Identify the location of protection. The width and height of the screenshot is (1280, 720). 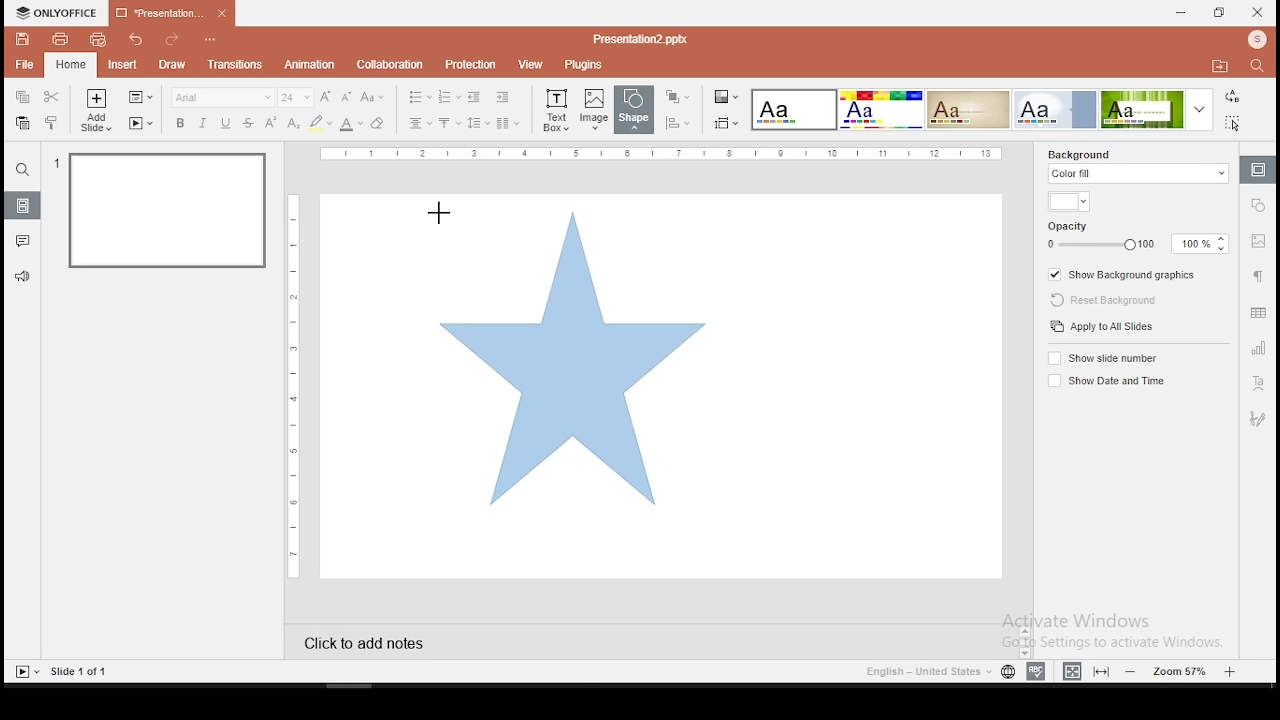
(468, 65).